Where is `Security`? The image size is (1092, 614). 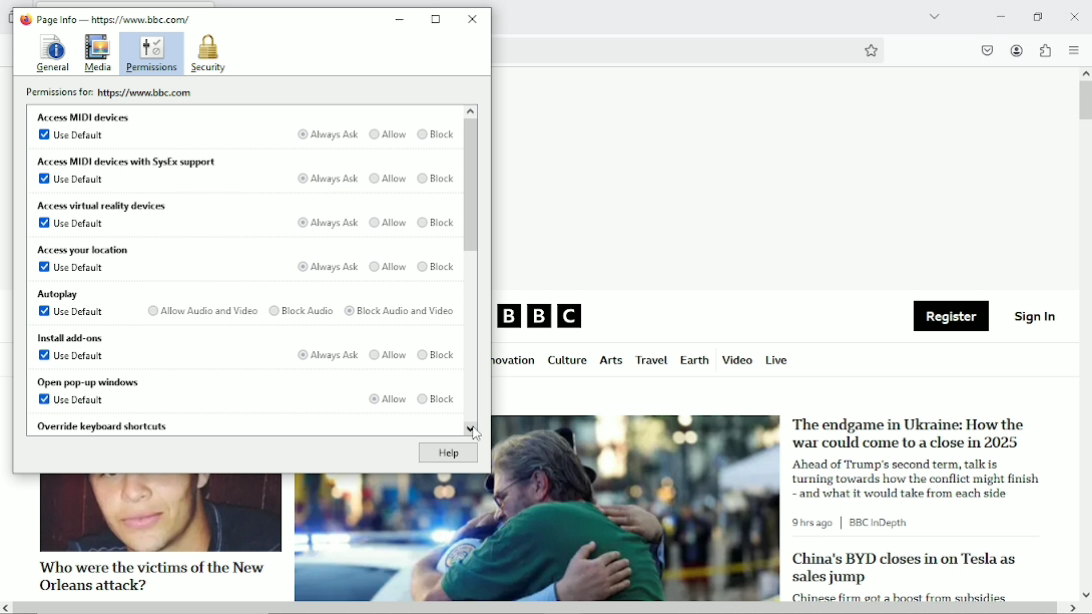 Security is located at coordinates (208, 54).